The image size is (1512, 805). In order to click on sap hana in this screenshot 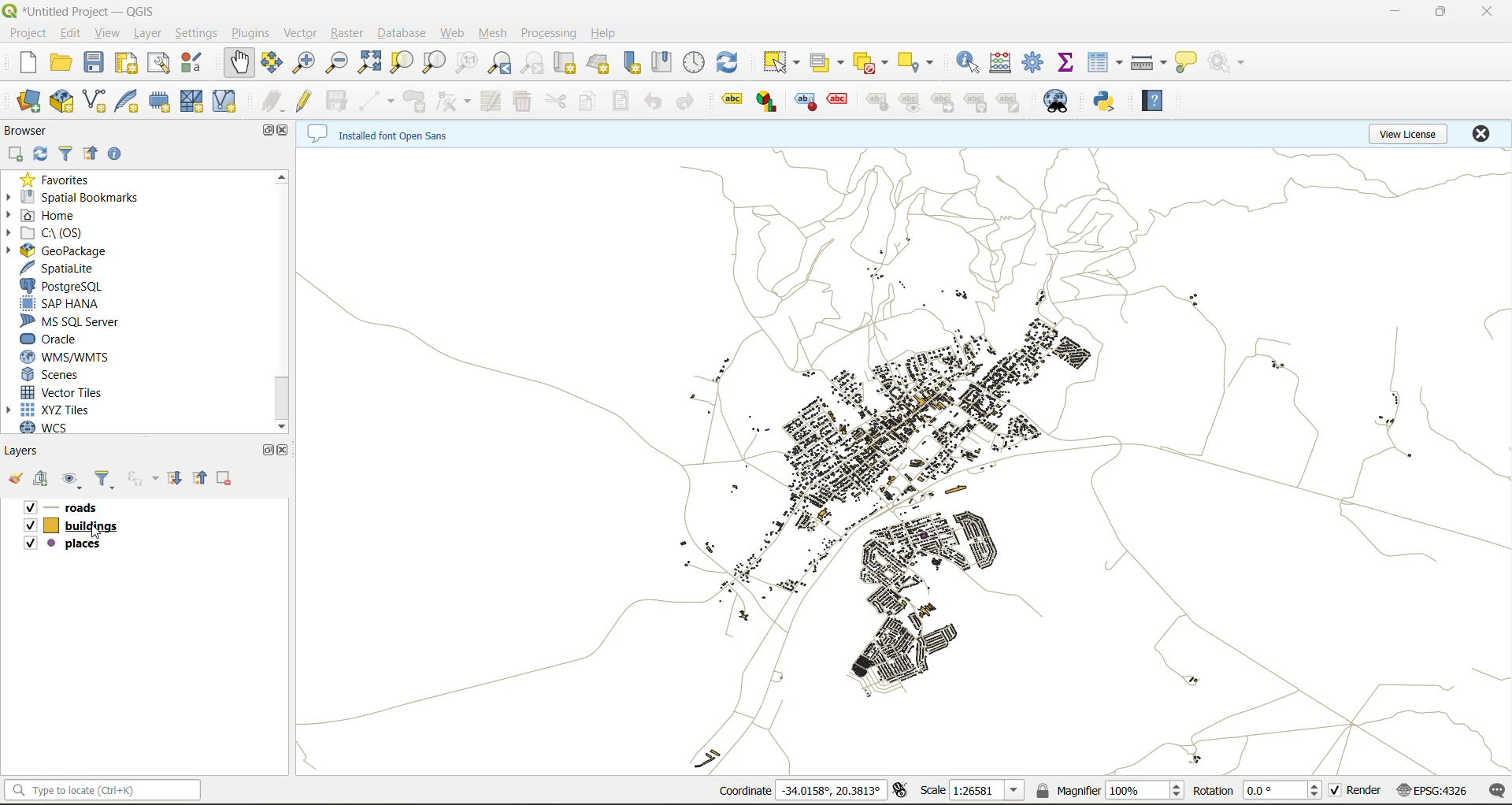, I will do `click(75, 303)`.